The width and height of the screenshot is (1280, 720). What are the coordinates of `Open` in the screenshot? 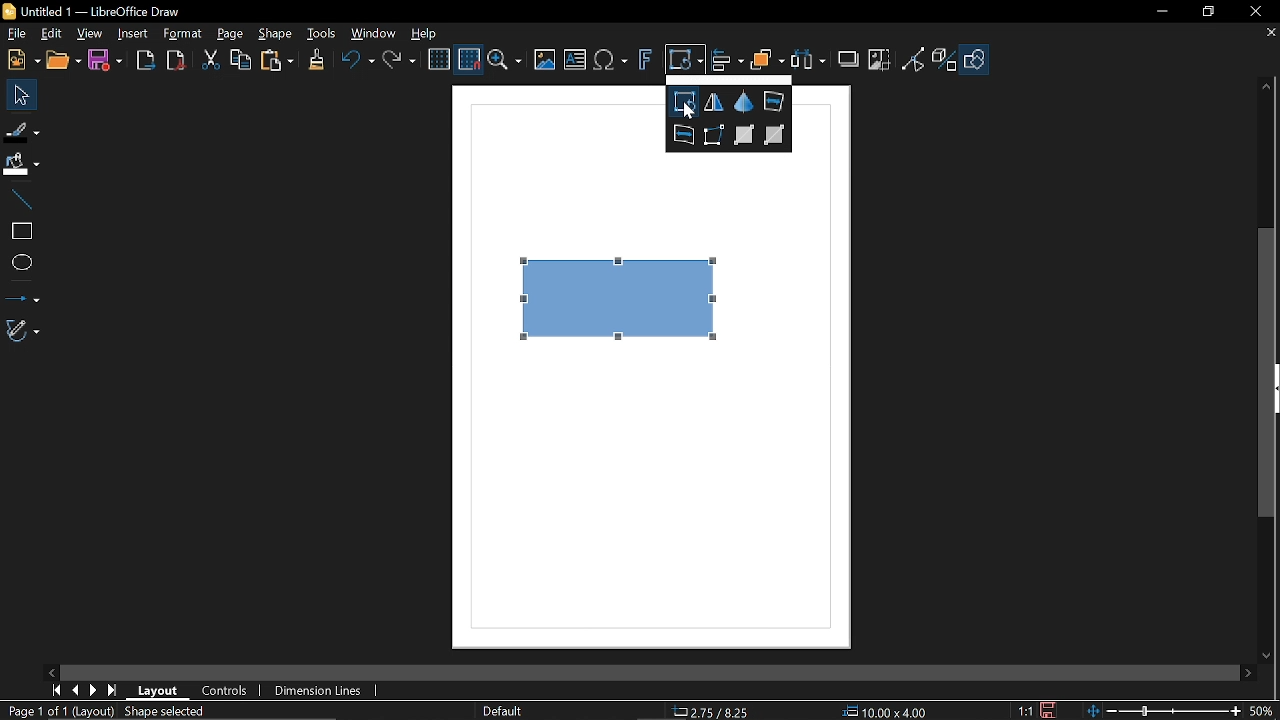 It's located at (65, 61).